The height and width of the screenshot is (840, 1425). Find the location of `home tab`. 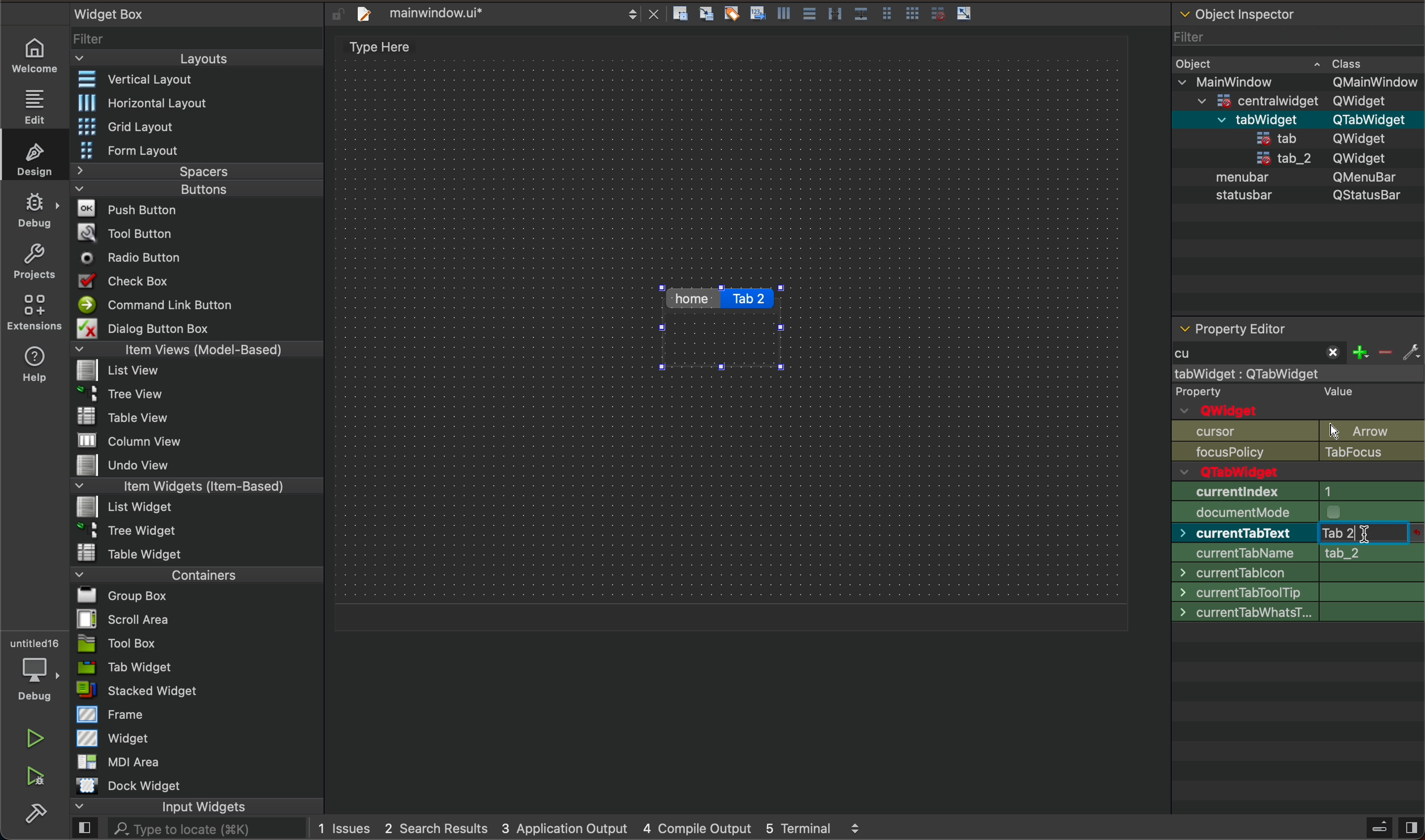

home tab is located at coordinates (693, 301).